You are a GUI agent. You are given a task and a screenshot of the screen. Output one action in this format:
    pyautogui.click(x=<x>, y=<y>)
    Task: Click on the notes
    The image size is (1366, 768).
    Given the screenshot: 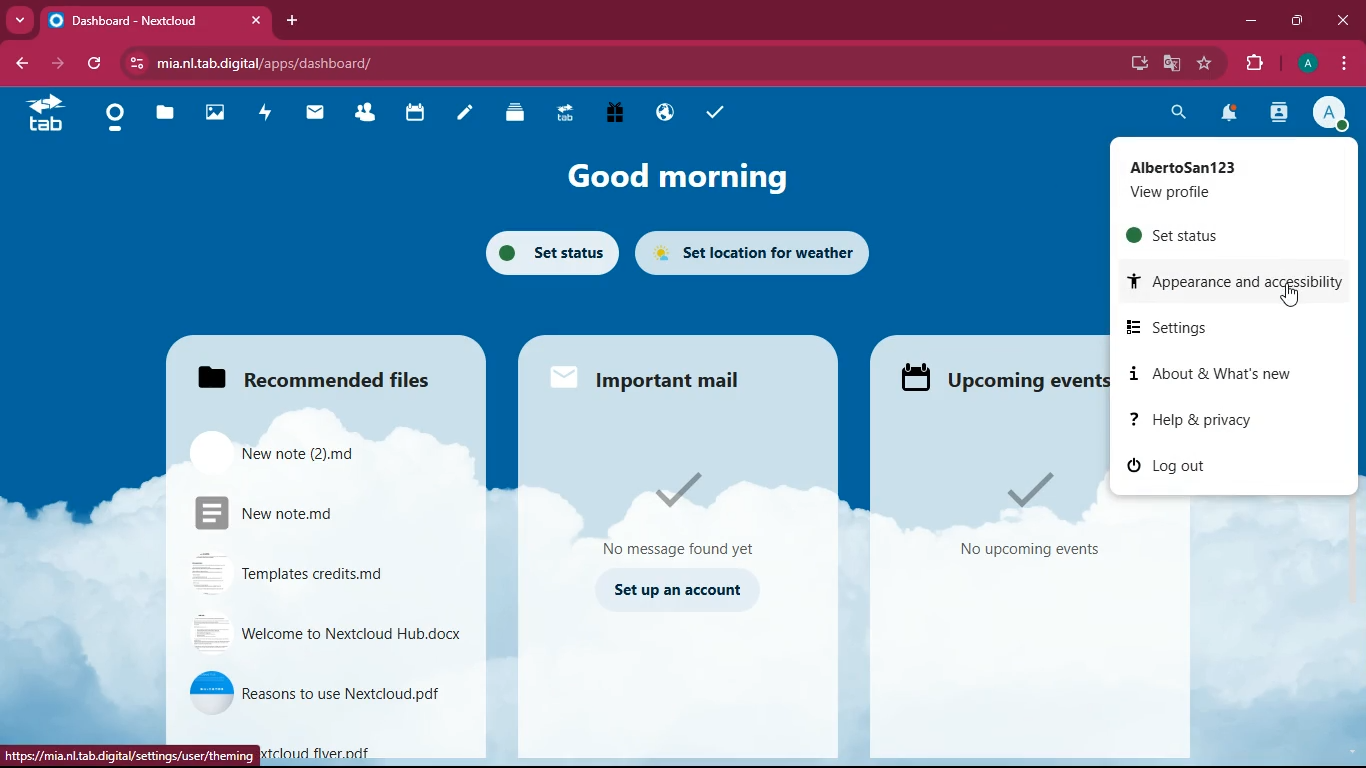 What is the action you would take?
    pyautogui.click(x=460, y=115)
    